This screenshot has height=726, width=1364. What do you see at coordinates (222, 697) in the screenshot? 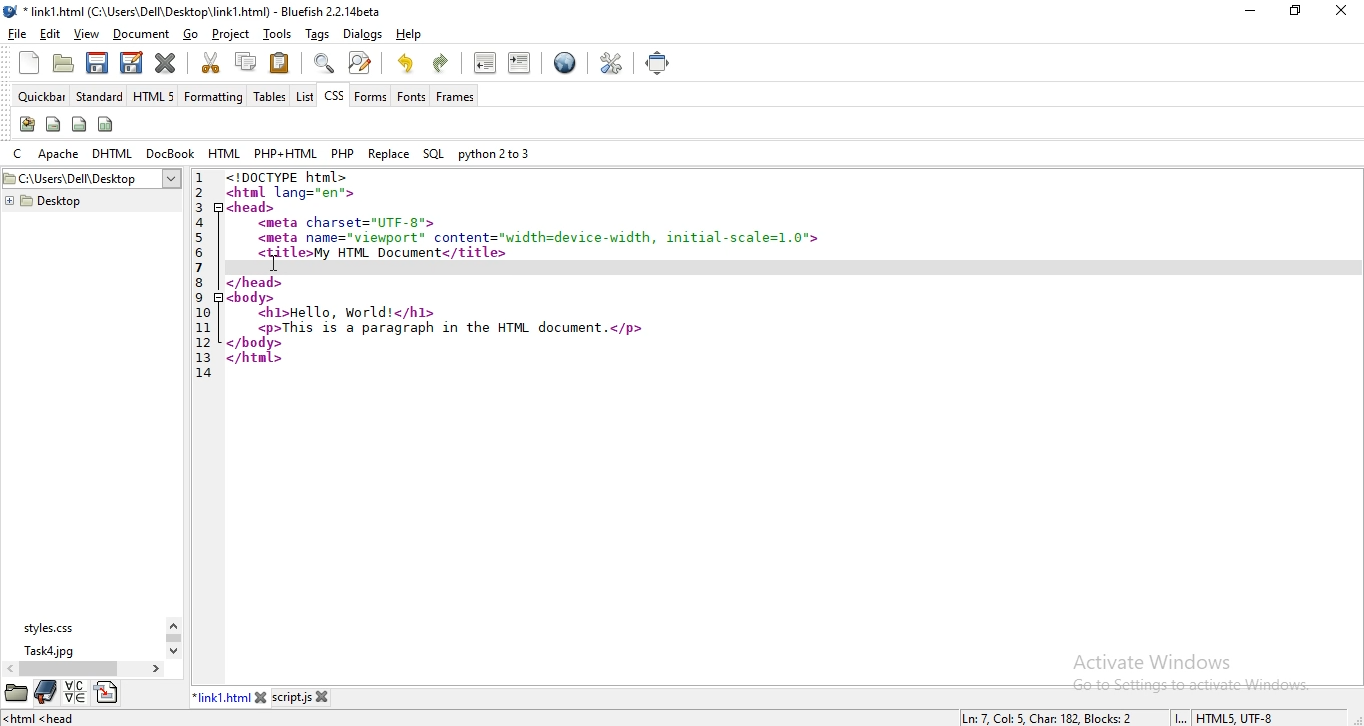
I see `link1` at bounding box center [222, 697].